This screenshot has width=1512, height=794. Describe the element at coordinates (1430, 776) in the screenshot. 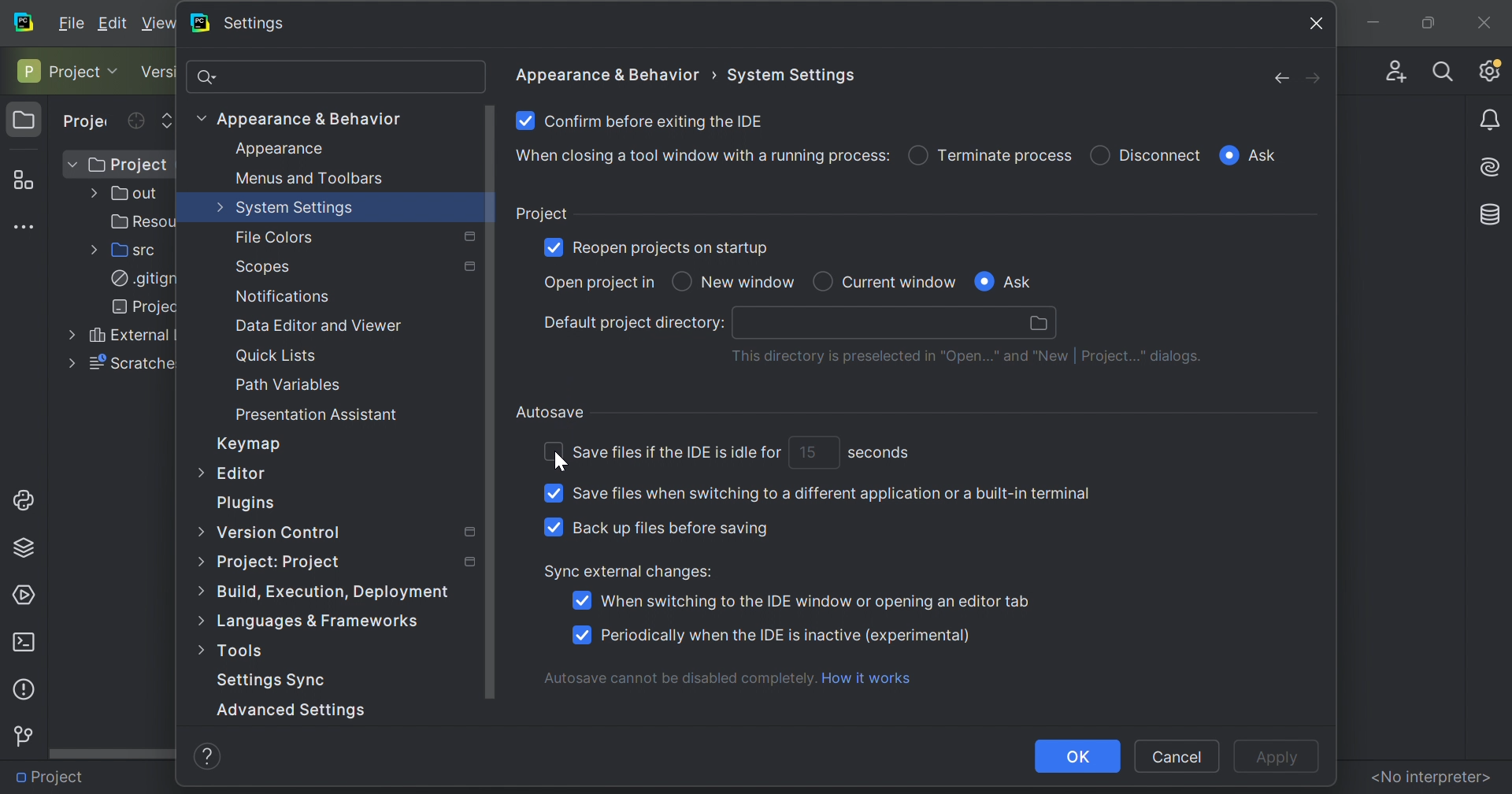

I see `<No interpreter>` at that location.